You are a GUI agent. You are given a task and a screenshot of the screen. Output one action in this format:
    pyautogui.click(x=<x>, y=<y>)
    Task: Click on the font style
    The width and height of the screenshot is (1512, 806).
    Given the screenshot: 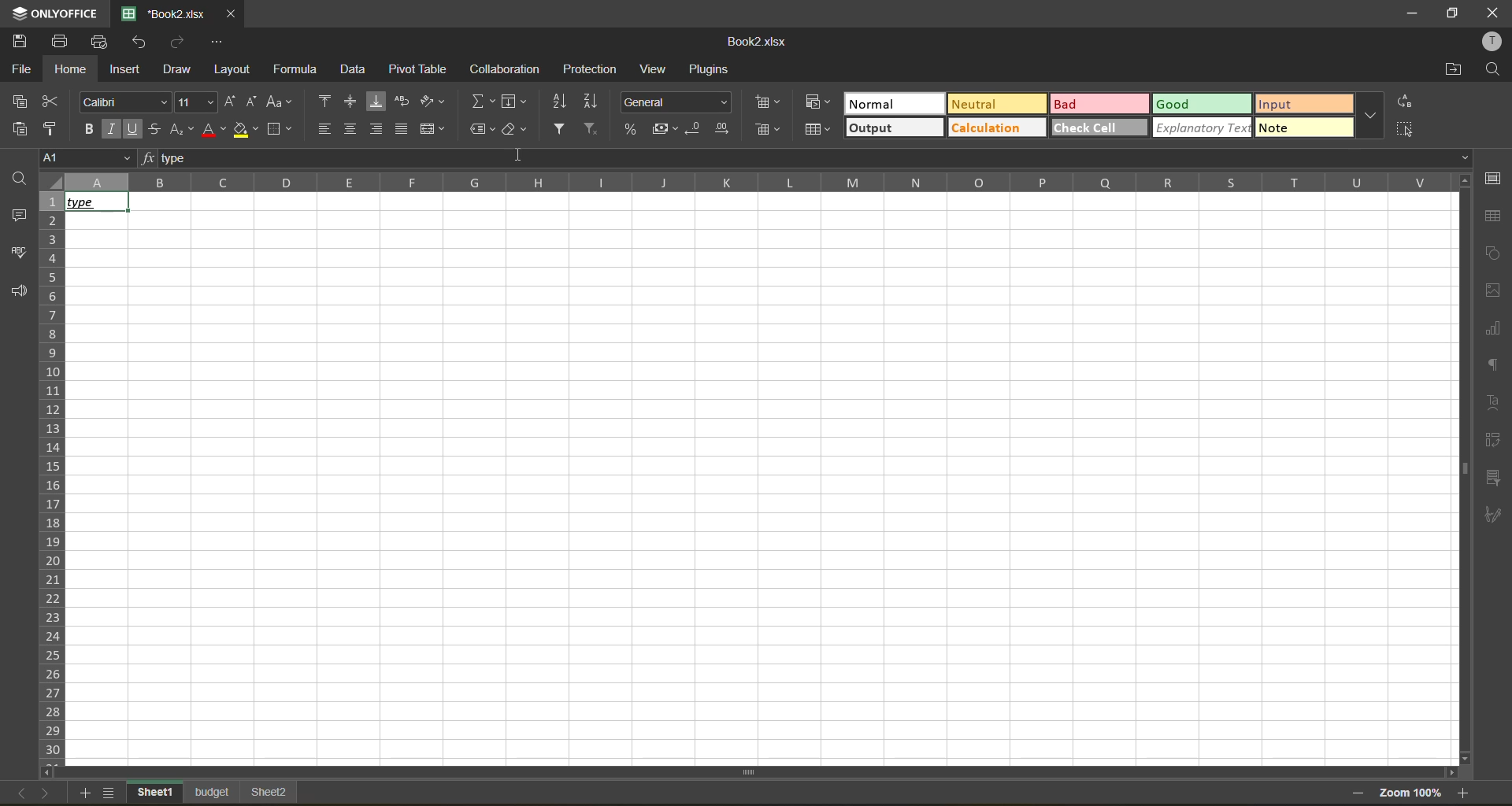 What is the action you would take?
    pyautogui.click(x=122, y=100)
    